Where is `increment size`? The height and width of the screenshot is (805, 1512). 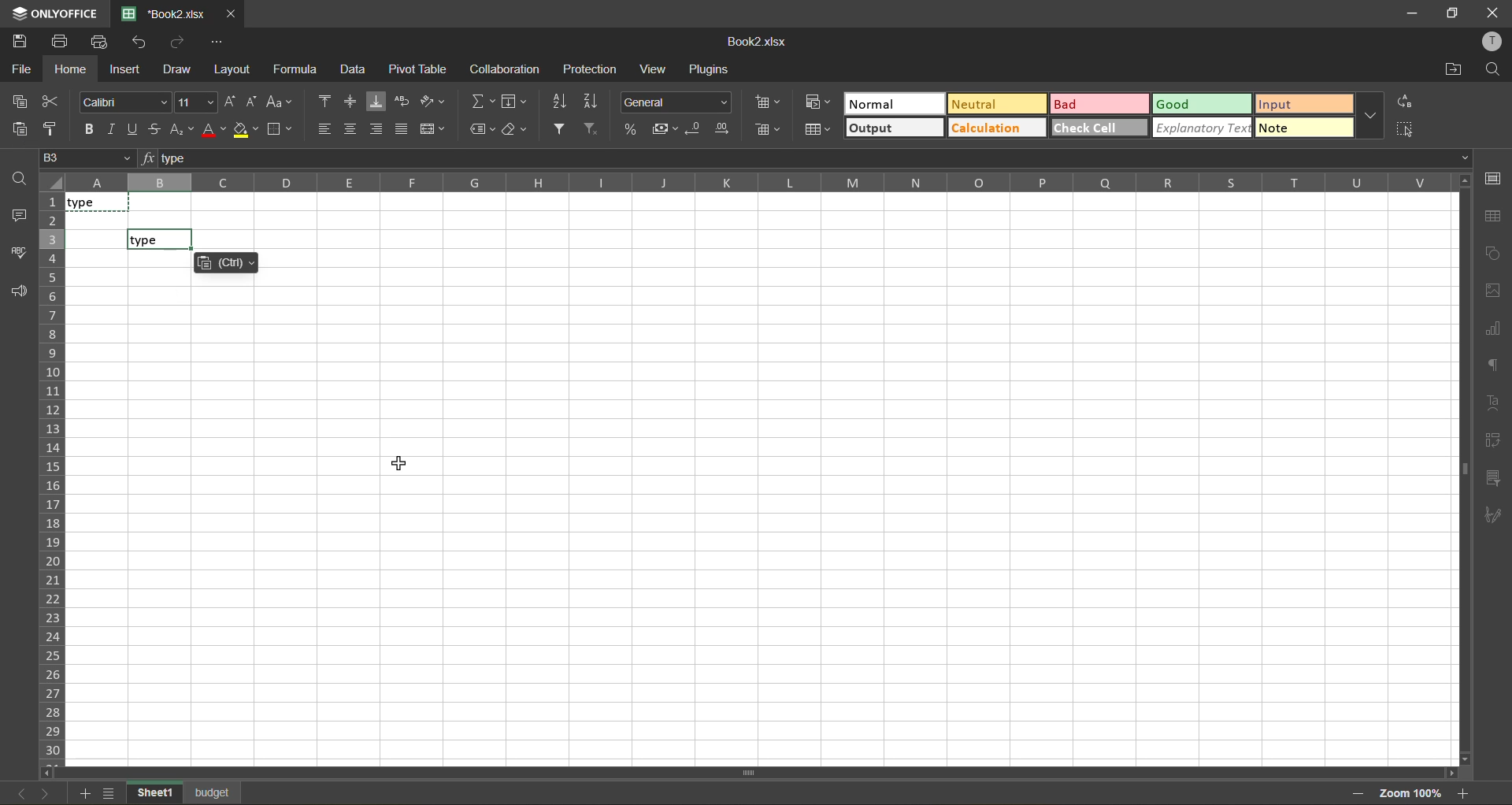 increment size is located at coordinates (231, 101).